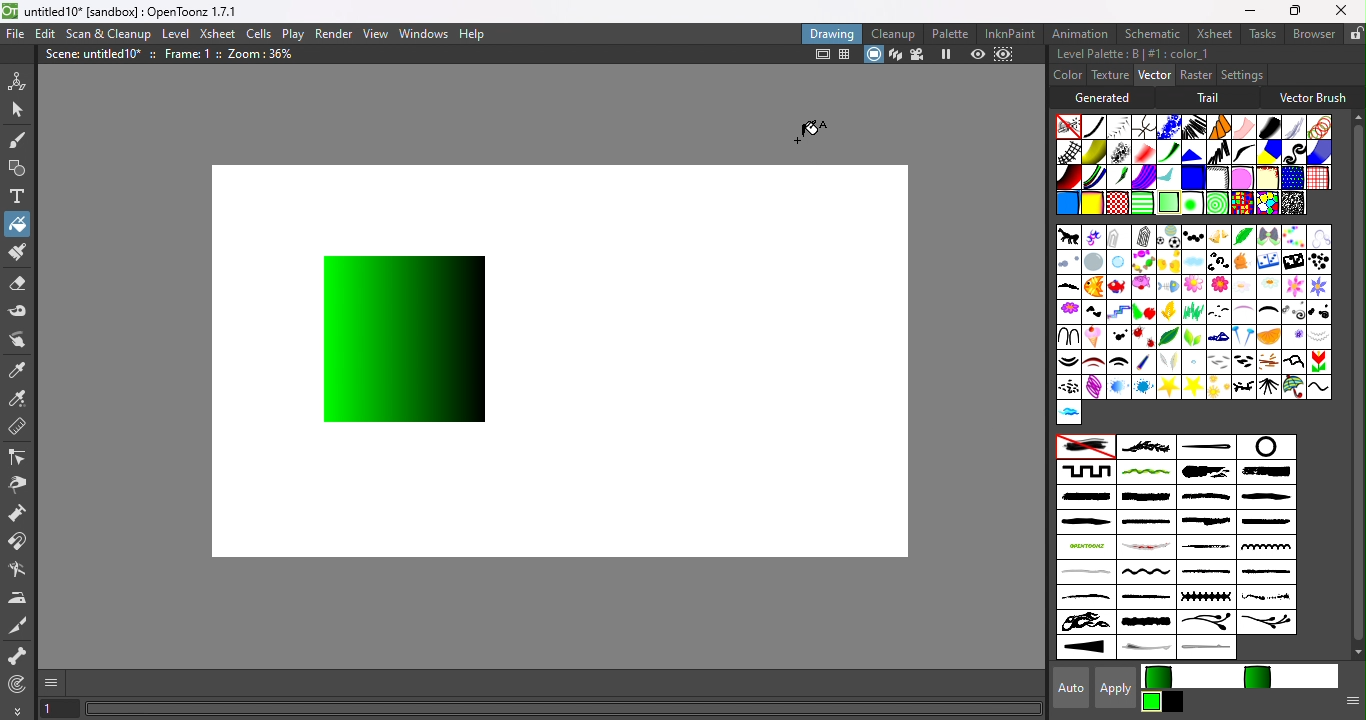  What do you see at coordinates (1356, 33) in the screenshot?
I see `Lock rooms tab` at bounding box center [1356, 33].